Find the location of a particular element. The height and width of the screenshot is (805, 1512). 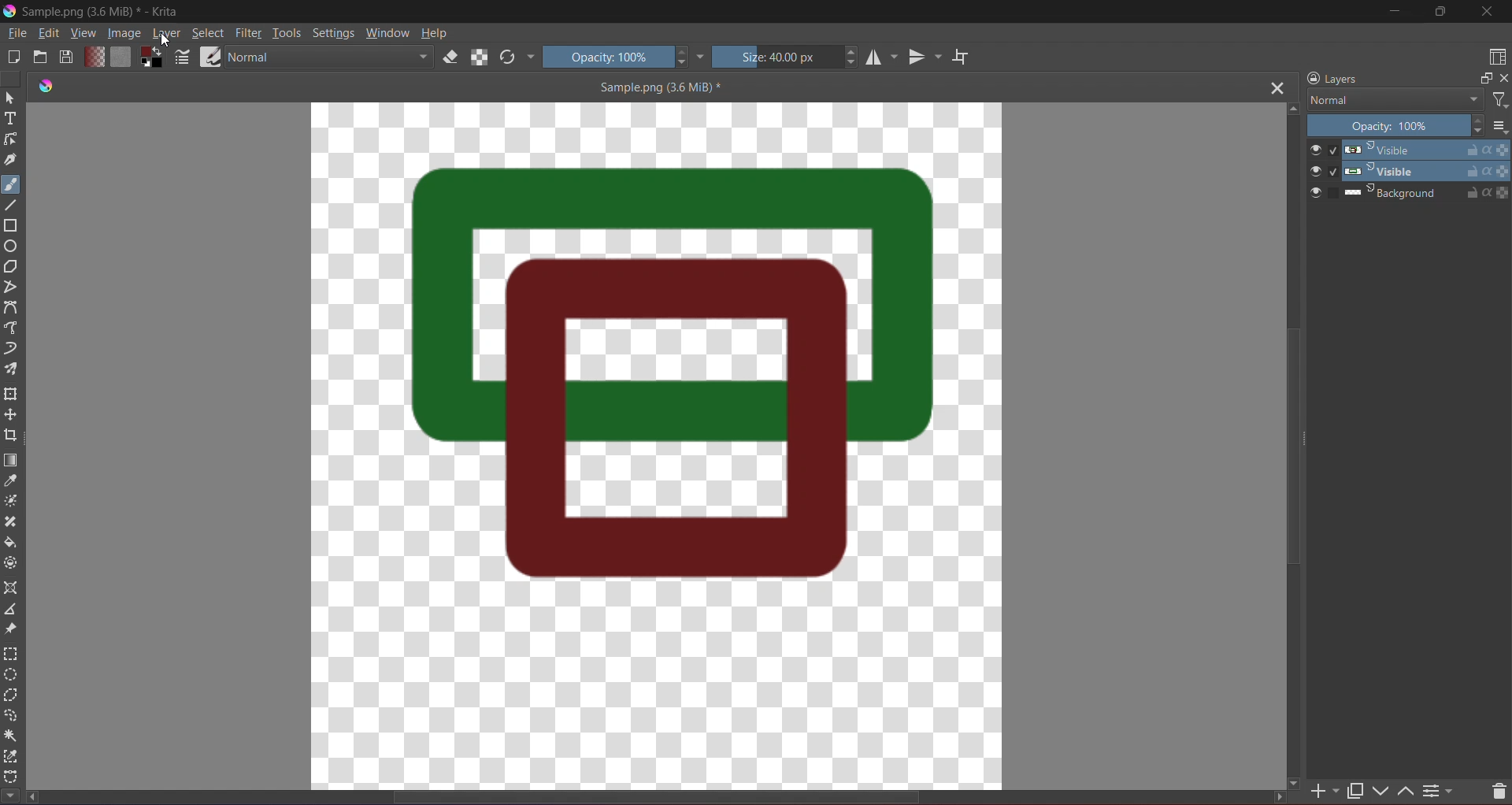

Assistant is located at coordinates (12, 588).